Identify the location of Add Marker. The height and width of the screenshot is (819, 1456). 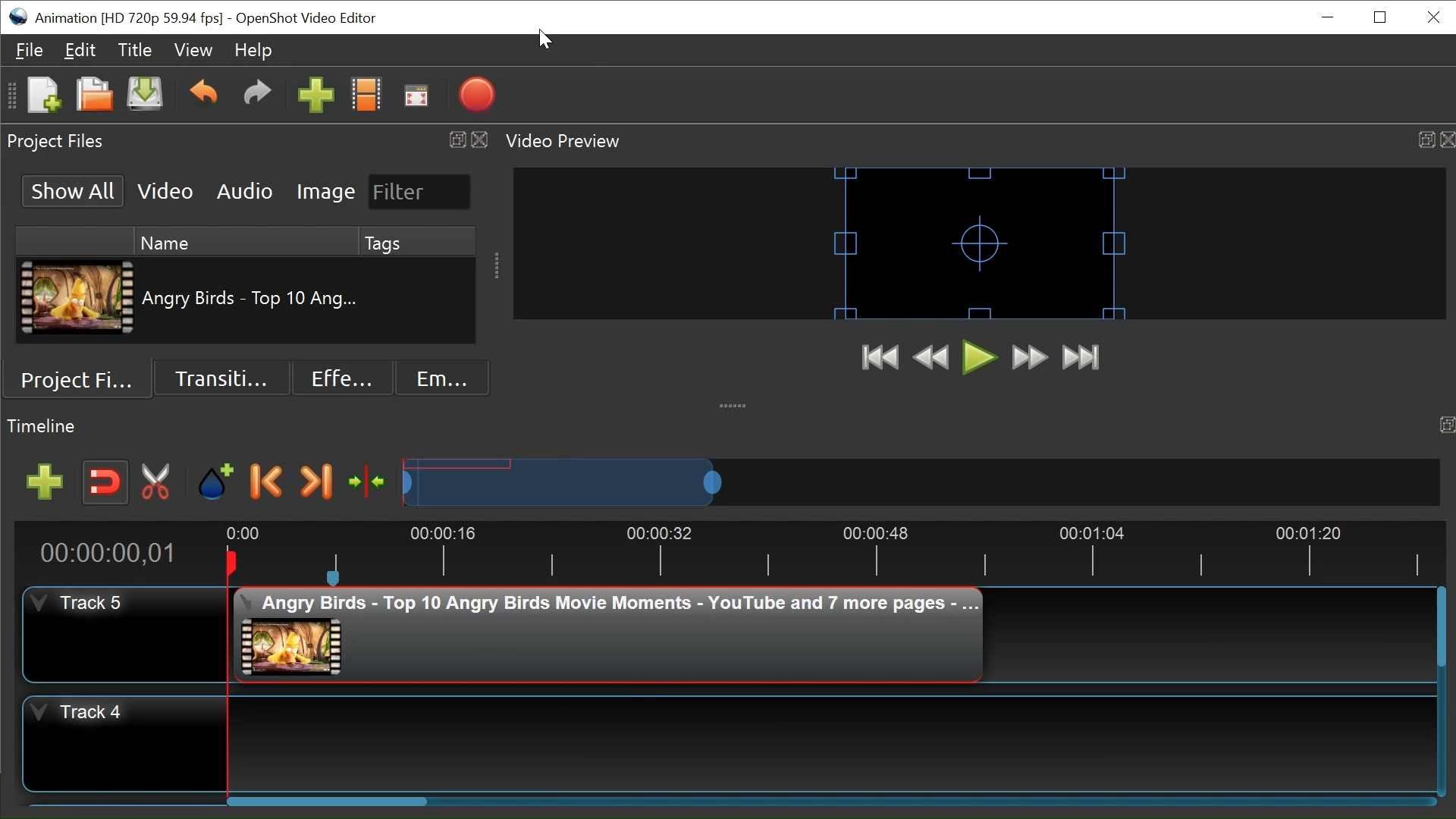
(215, 482).